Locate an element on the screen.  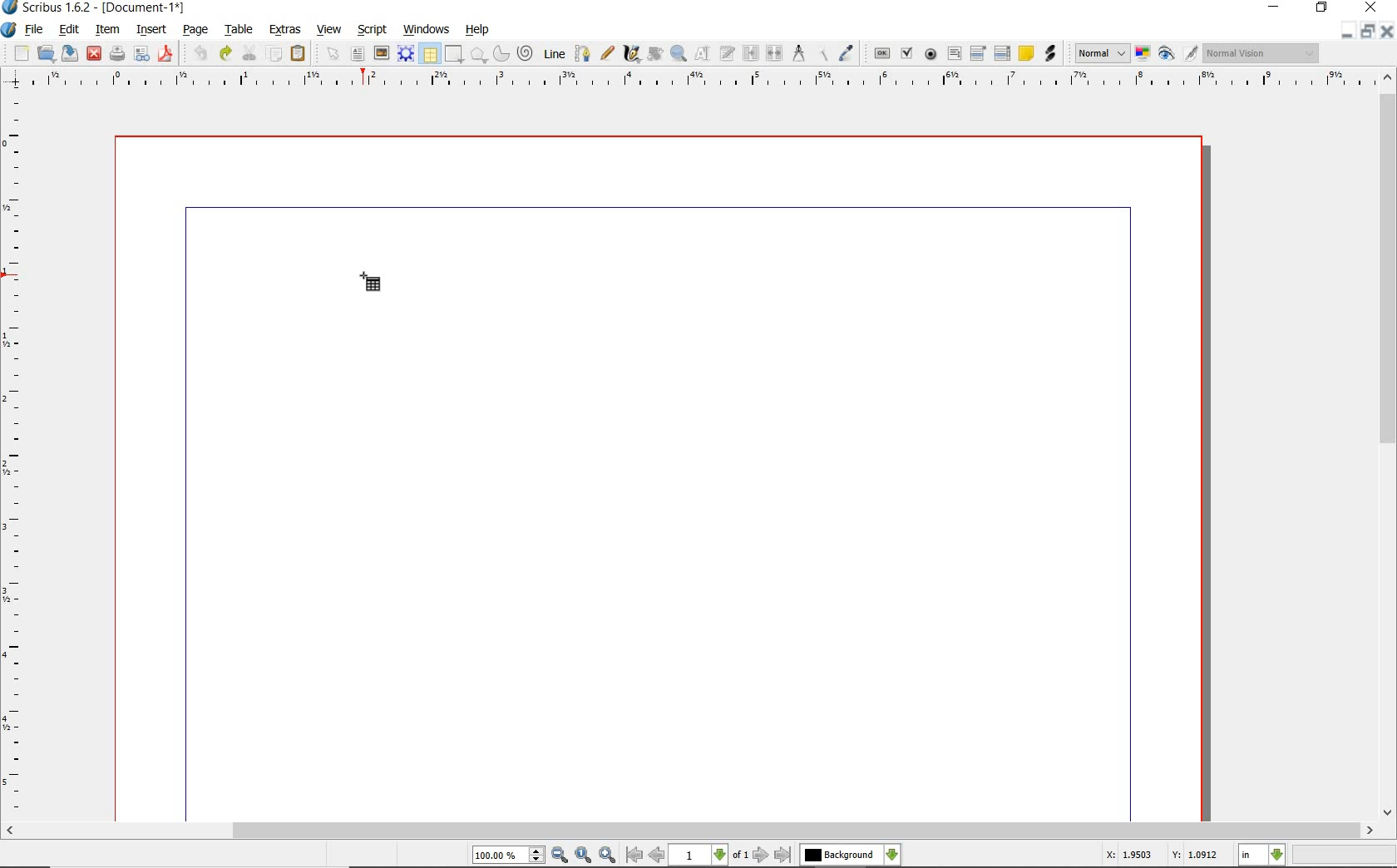
line is located at coordinates (555, 52).